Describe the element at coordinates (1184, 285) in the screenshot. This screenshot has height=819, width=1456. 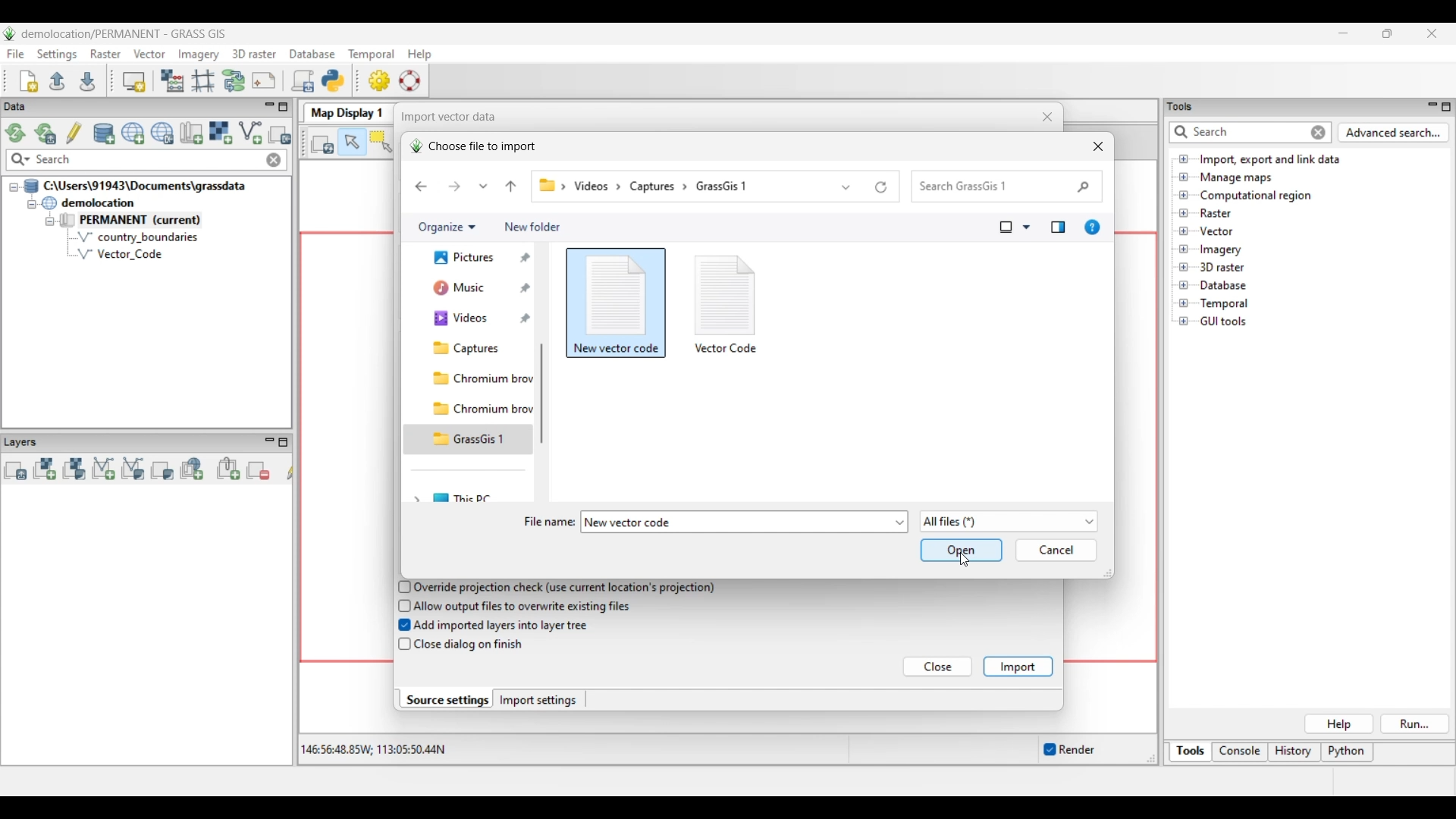
I see `Click to open Database` at that location.